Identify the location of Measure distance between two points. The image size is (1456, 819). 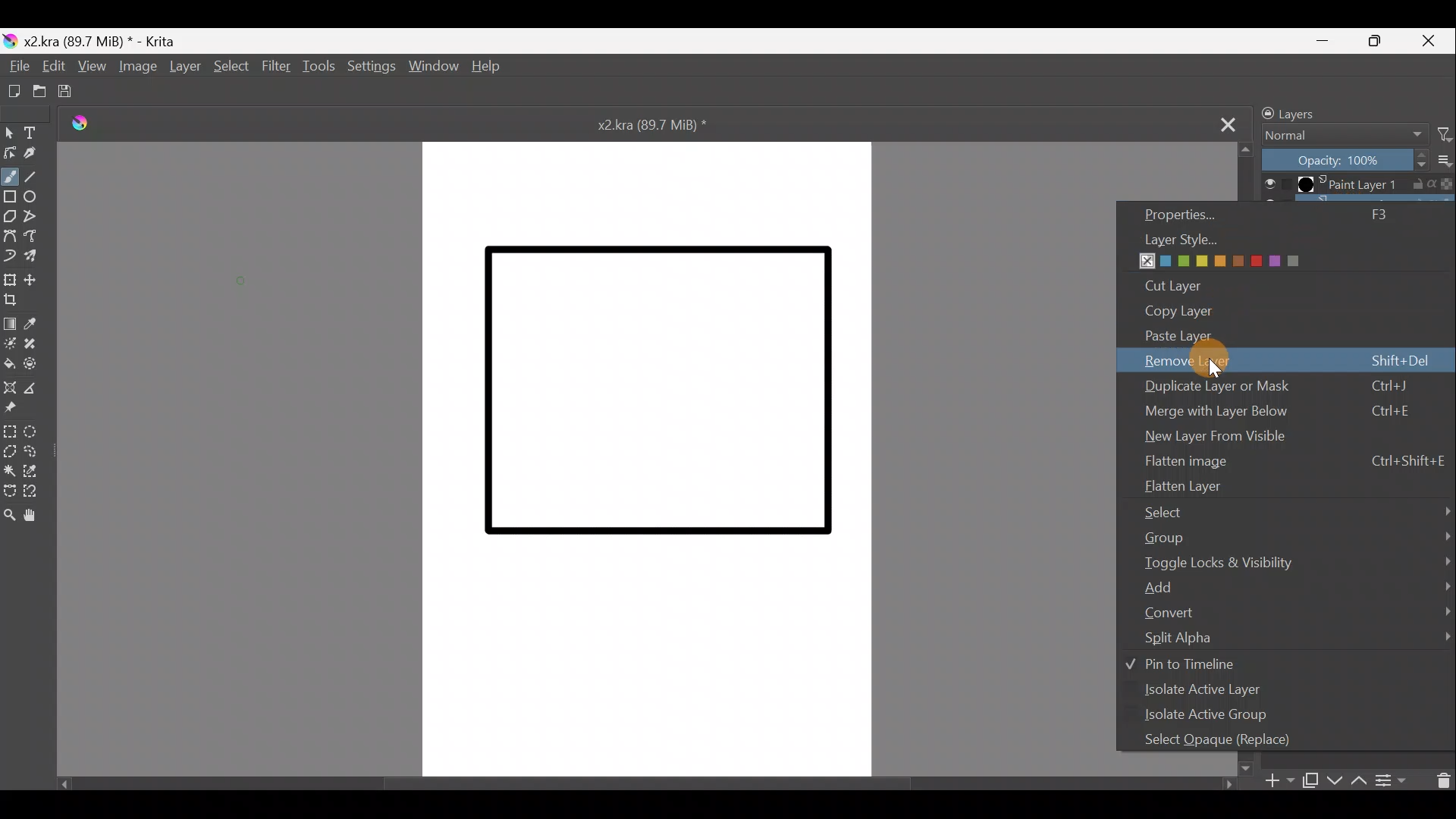
(42, 388).